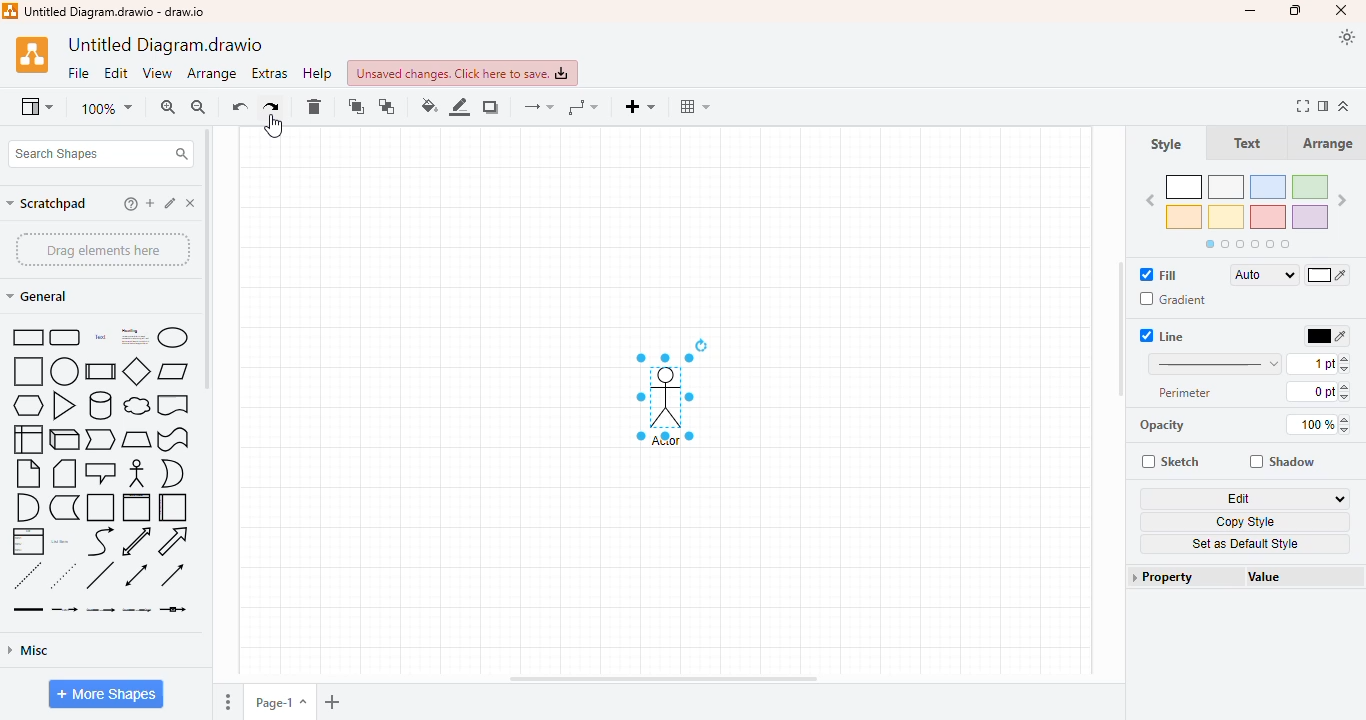  Describe the element at coordinates (1321, 424) in the screenshot. I see `100%` at that location.